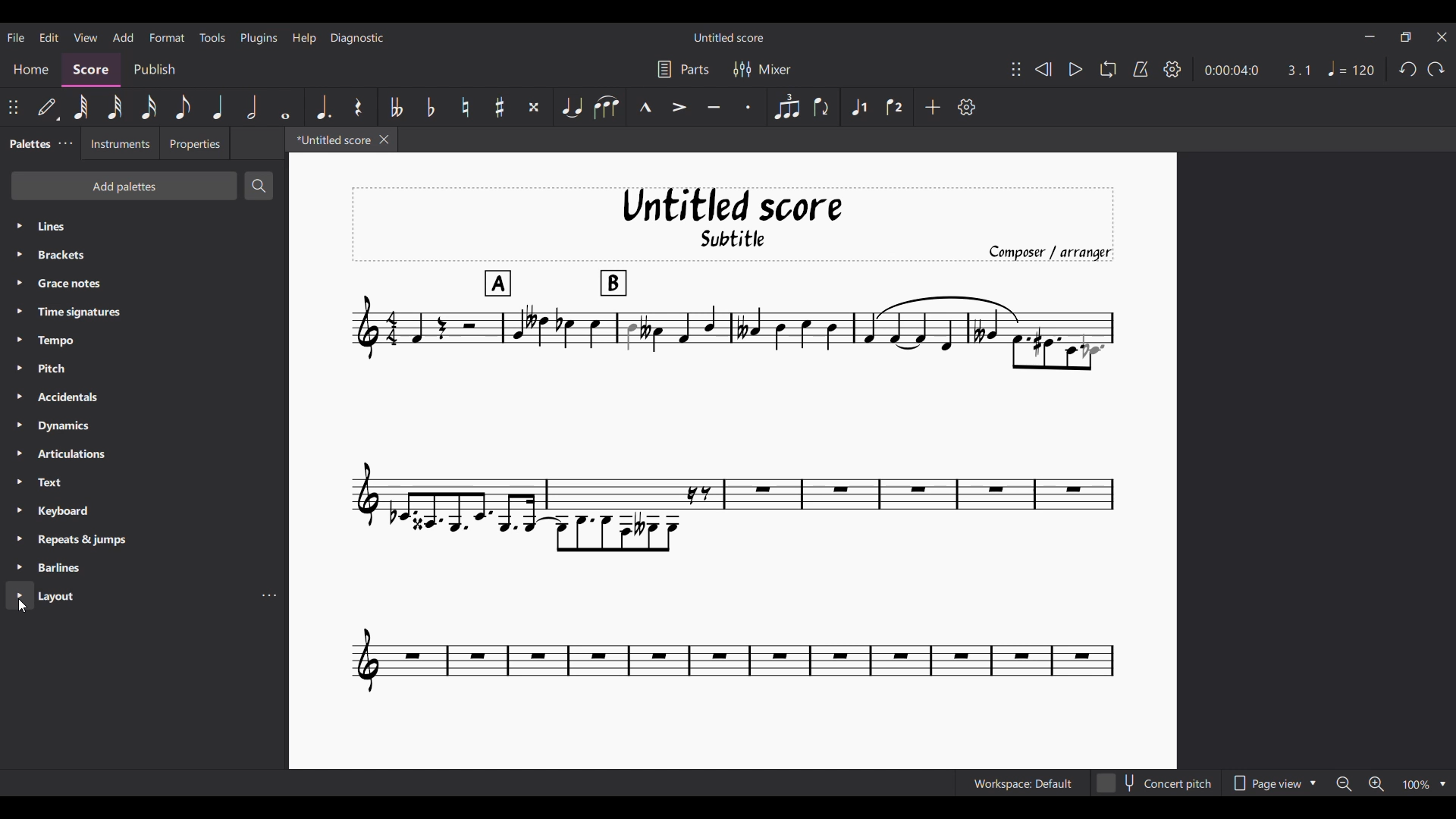 The height and width of the screenshot is (819, 1456). I want to click on Zoom out, so click(1345, 783).